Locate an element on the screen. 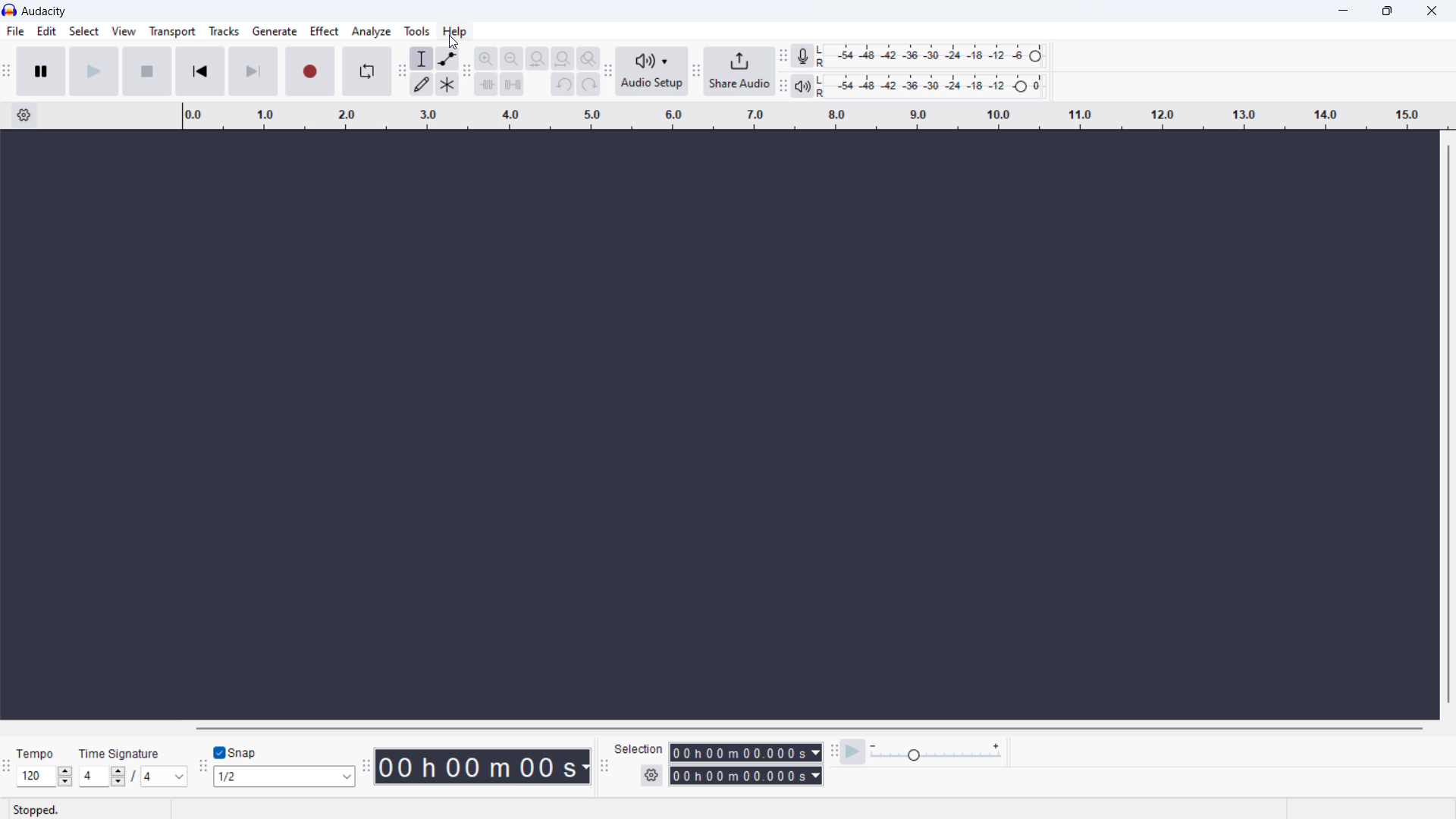 The image size is (1456, 819). set time signature is located at coordinates (129, 777).